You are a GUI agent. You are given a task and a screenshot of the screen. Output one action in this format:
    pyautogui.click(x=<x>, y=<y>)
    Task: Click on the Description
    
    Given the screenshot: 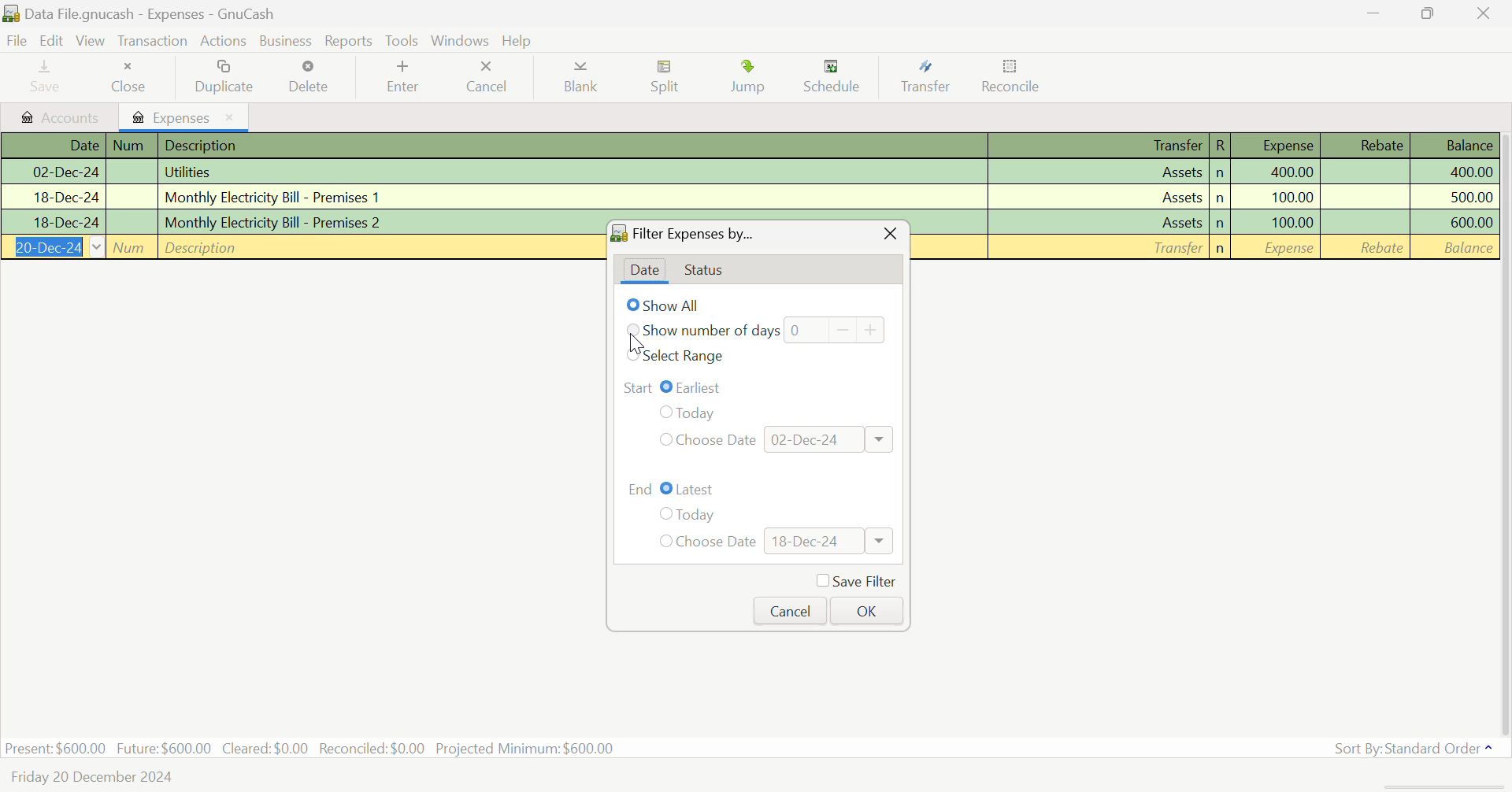 What is the action you would take?
    pyautogui.click(x=573, y=146)
    